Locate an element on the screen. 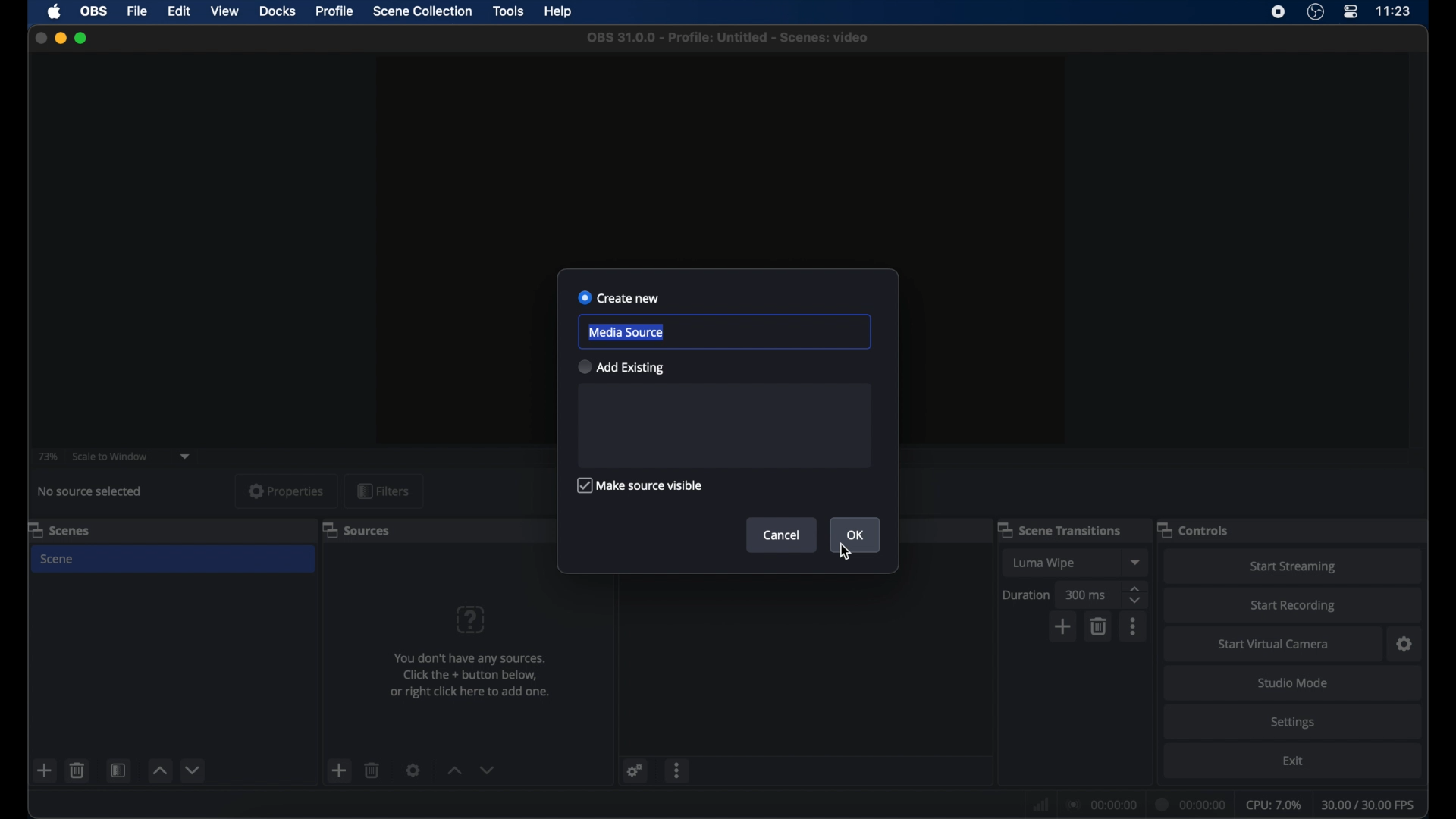 The height and width of the screenshot is (819, 1456). maximize is located at coordinates (82, 38).